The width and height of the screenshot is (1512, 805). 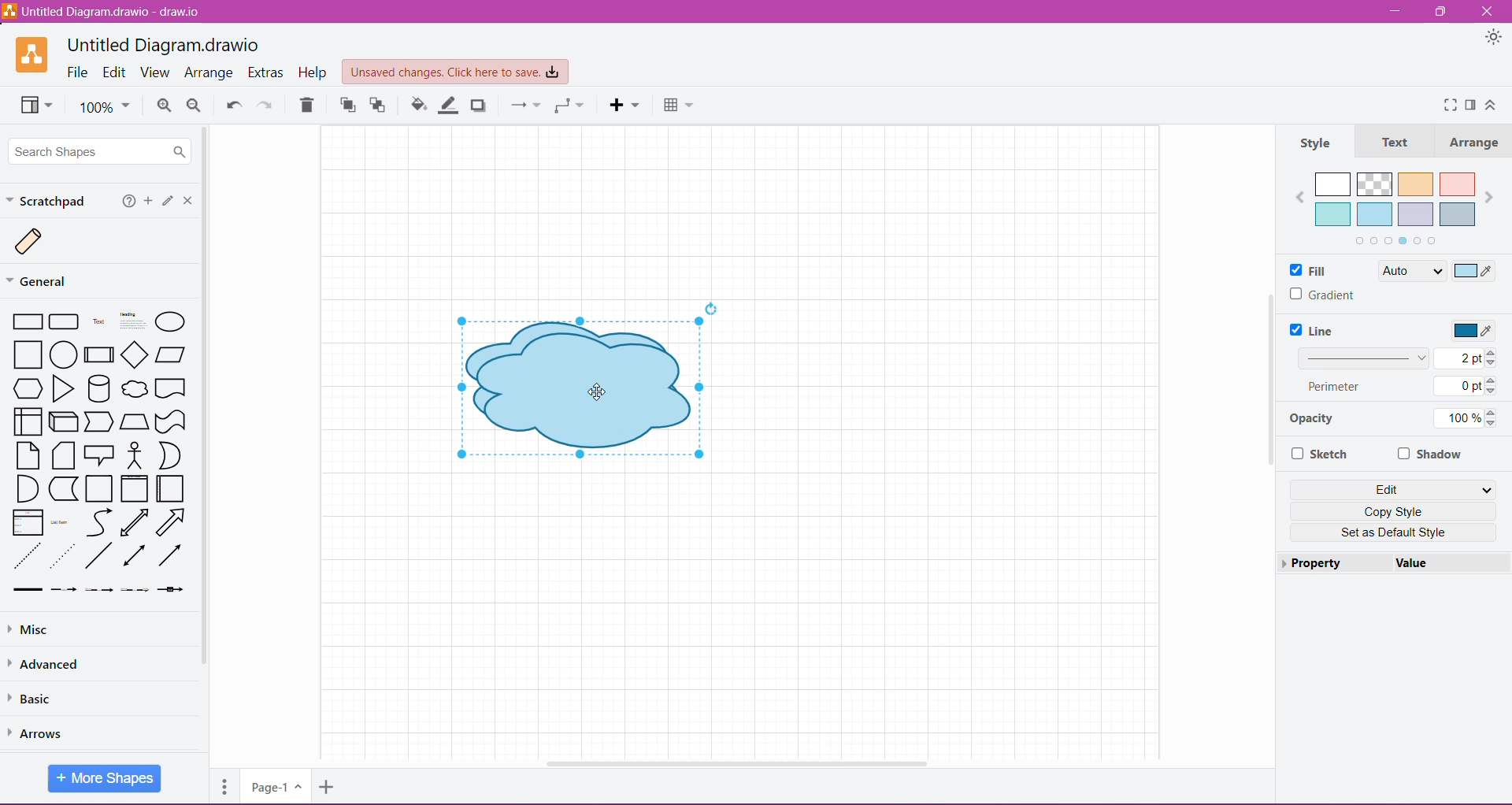 I want to click on Help, so click(x=129, y=202).